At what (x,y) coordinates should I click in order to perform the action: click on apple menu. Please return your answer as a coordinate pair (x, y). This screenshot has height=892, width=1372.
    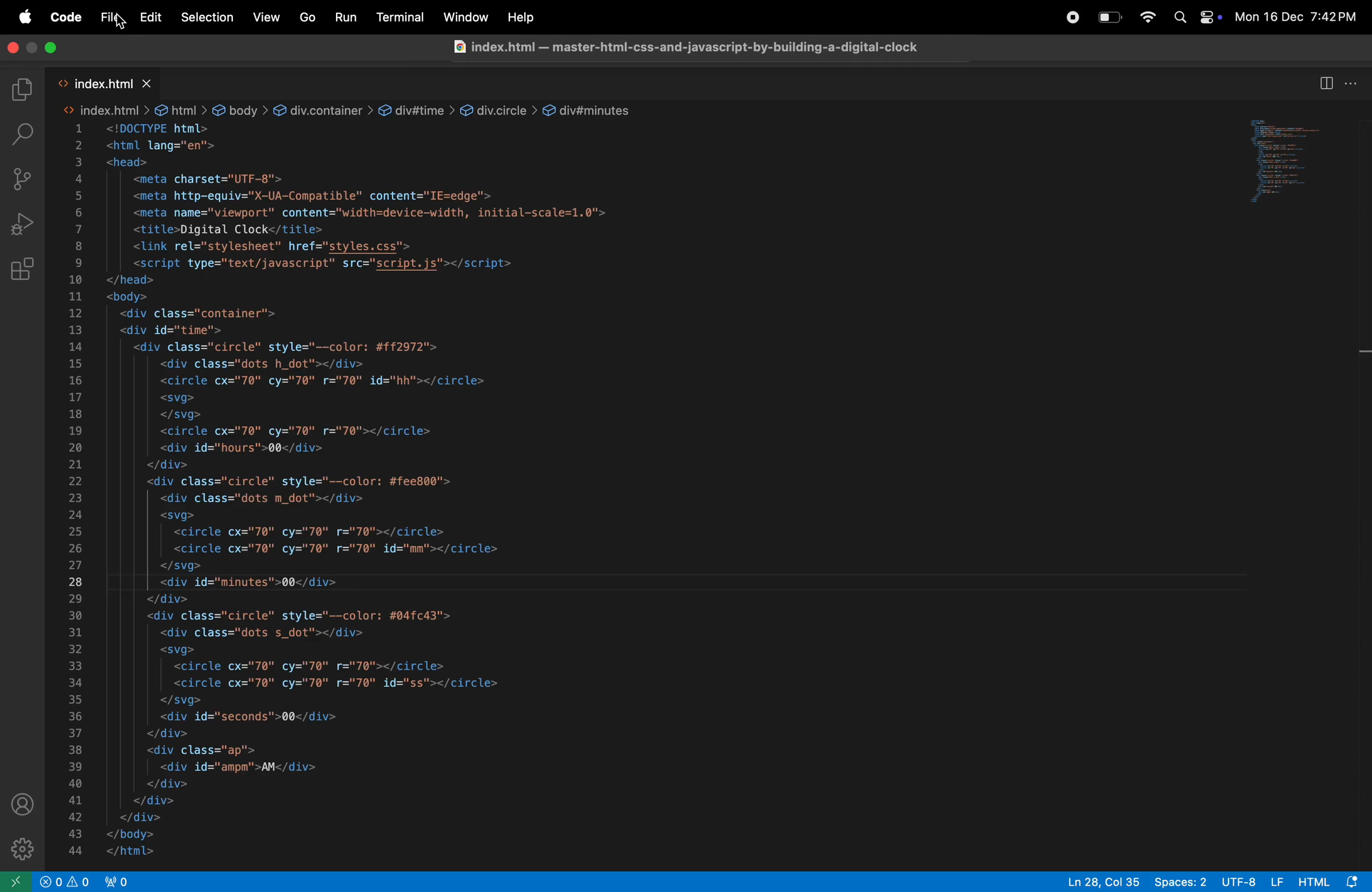
    Looking at the image, I should click on (28, 14).